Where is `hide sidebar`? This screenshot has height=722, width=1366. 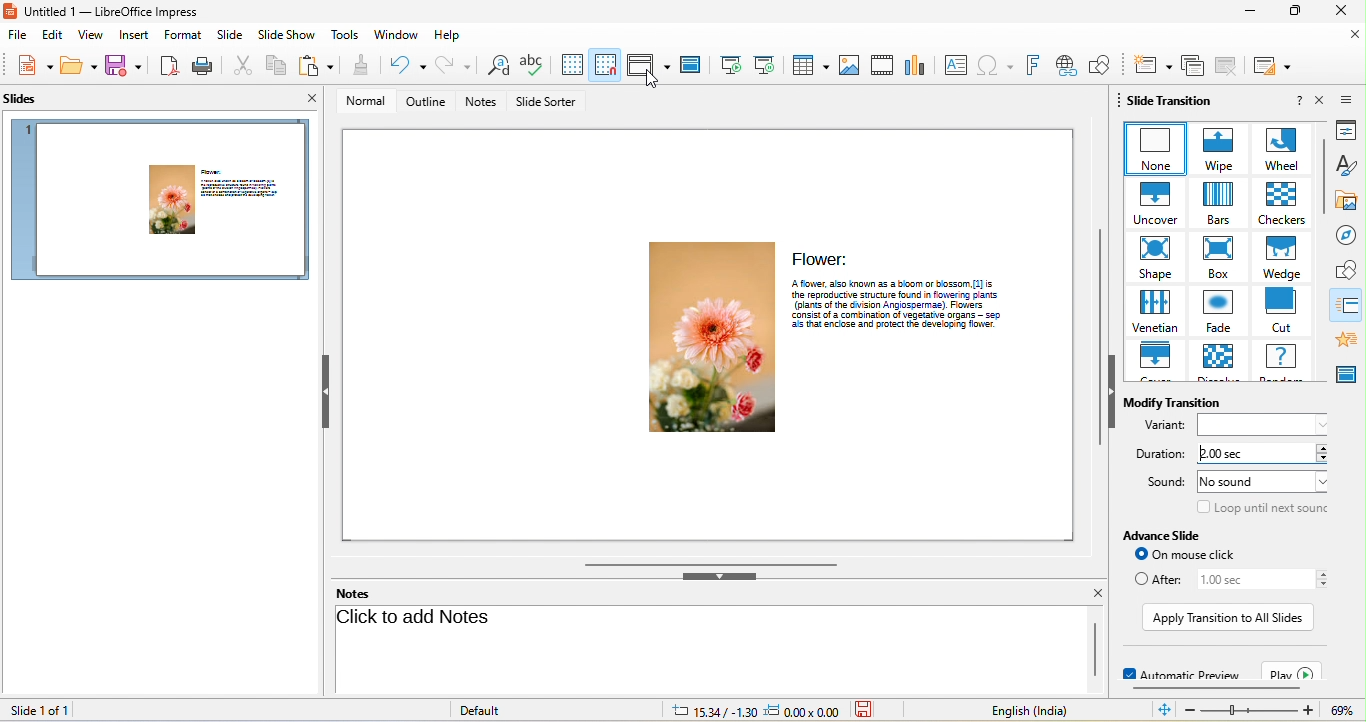
hide sidebar is located at coordinates (1112, 391).